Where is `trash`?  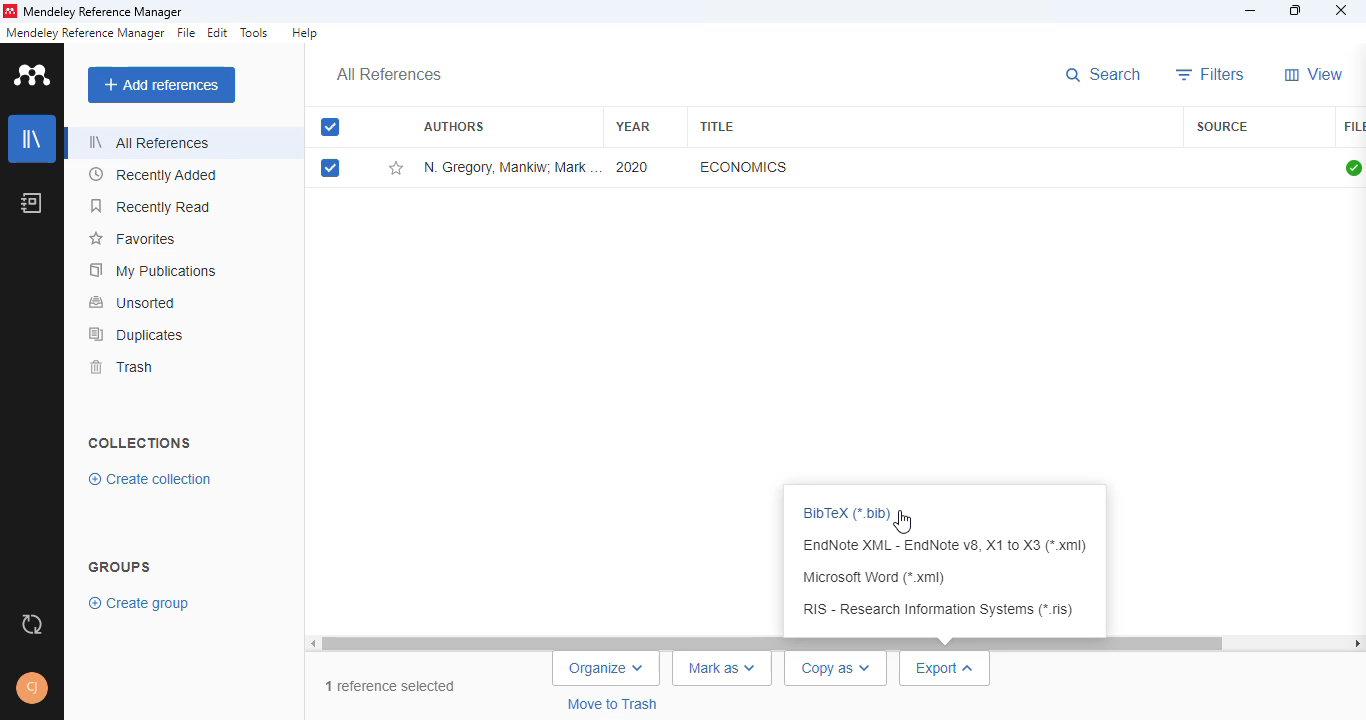
trash is located at coordinates (126, 368).